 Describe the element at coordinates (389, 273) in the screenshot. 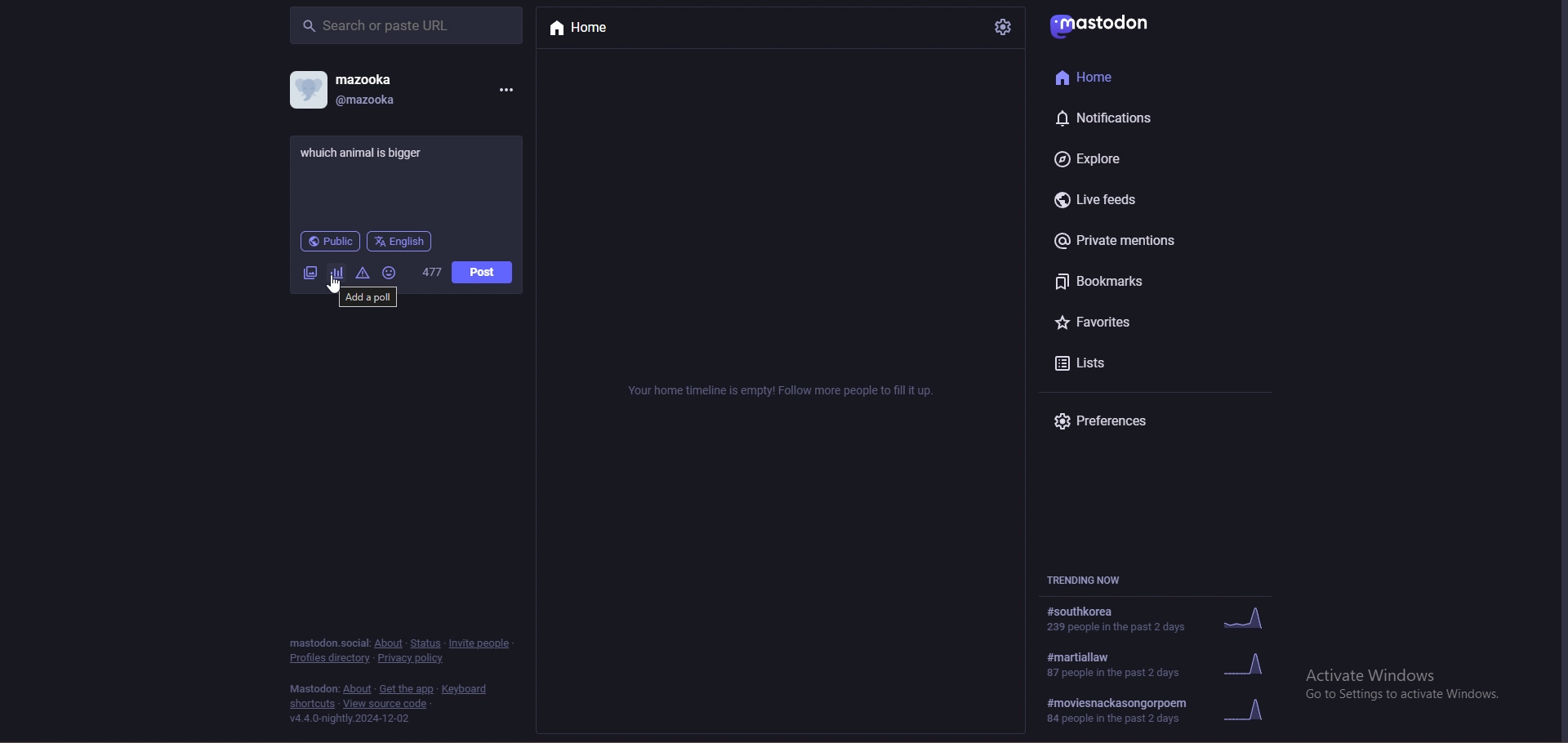

I see `emoji` at that location.